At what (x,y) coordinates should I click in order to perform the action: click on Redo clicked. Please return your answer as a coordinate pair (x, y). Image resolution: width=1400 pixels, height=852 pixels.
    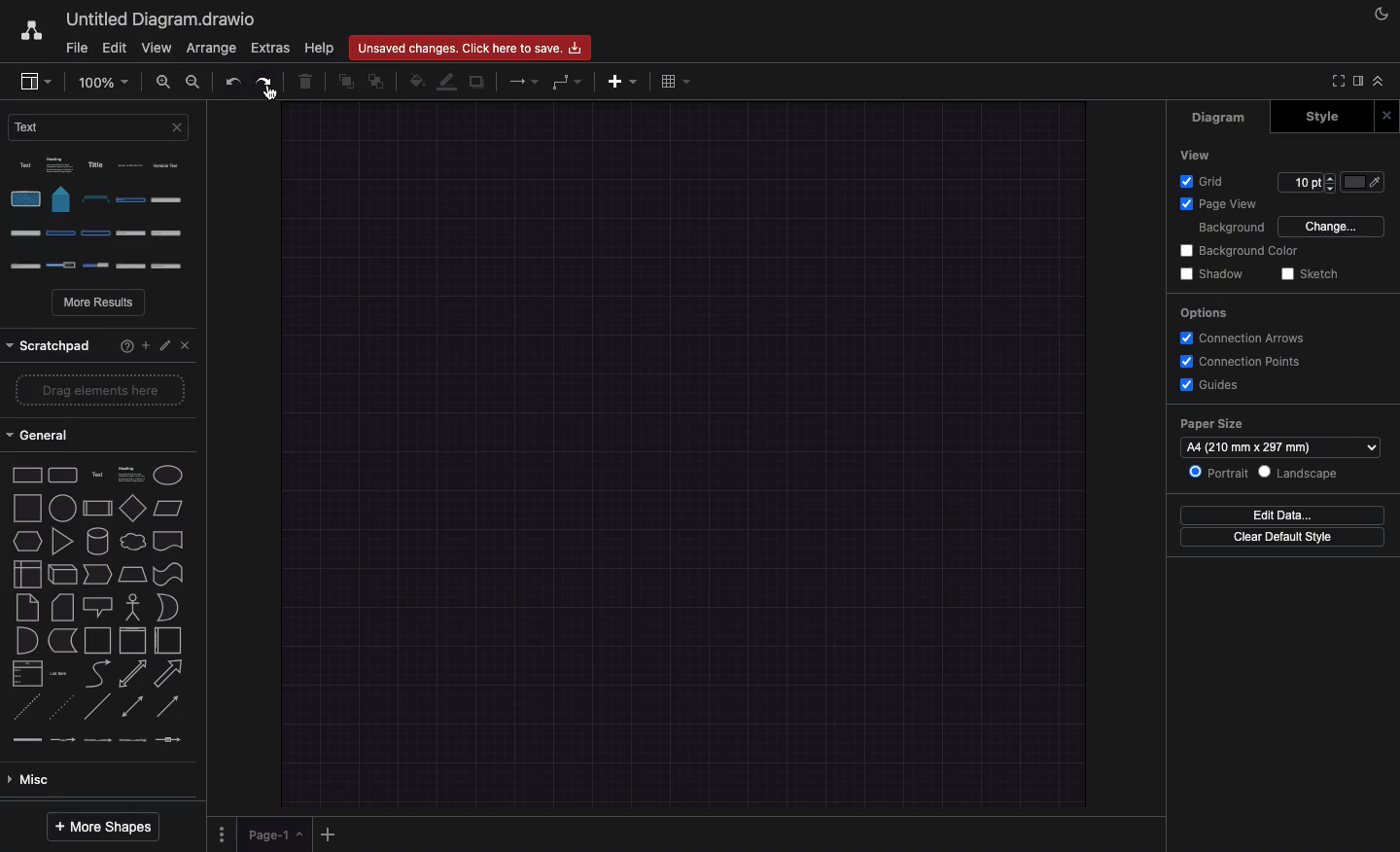
    Looking at the image, I should click on (268, 83).